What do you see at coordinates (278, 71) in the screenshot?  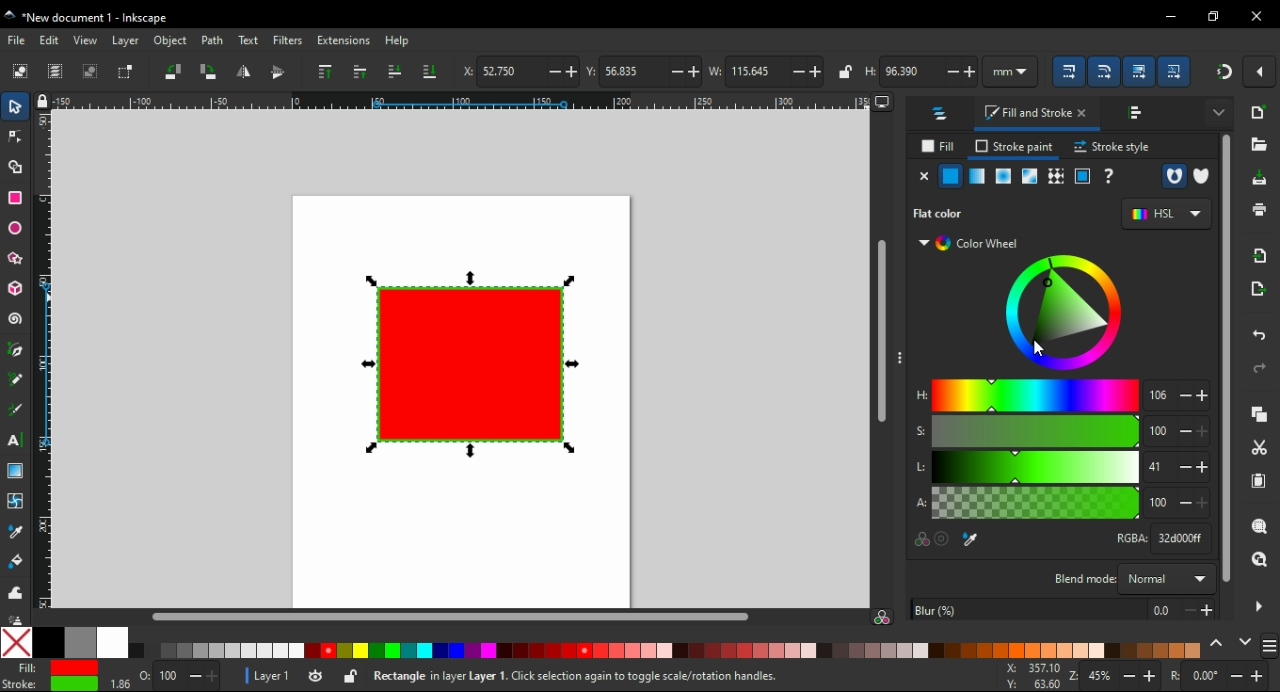 I see `flip vertical` at bounding box center [278, 71].